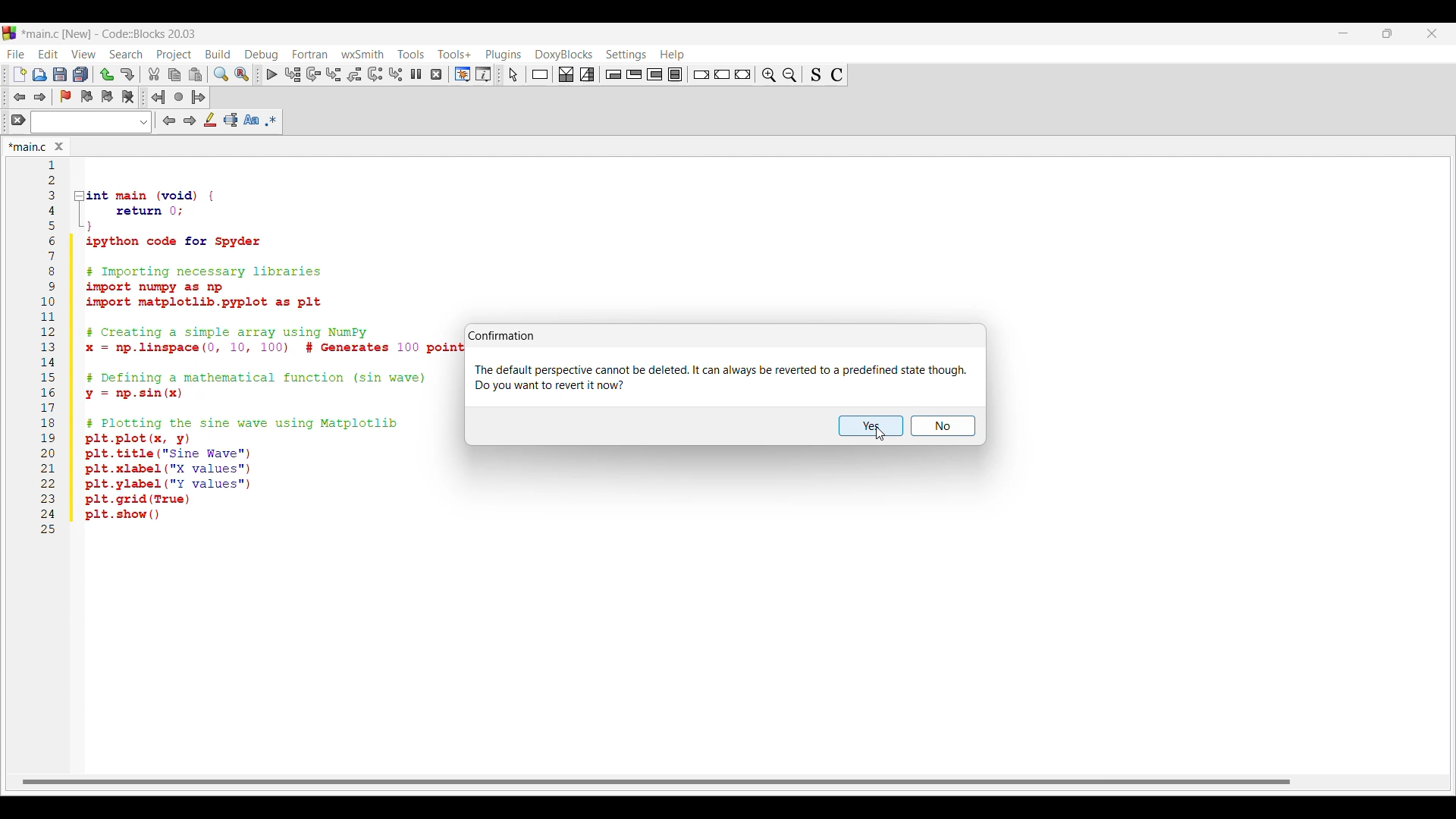 The width and height of the screenshot is (1456, 819). Describe the element at coordinates (566, 74) in the screenshot. I see `Decision` at that location.